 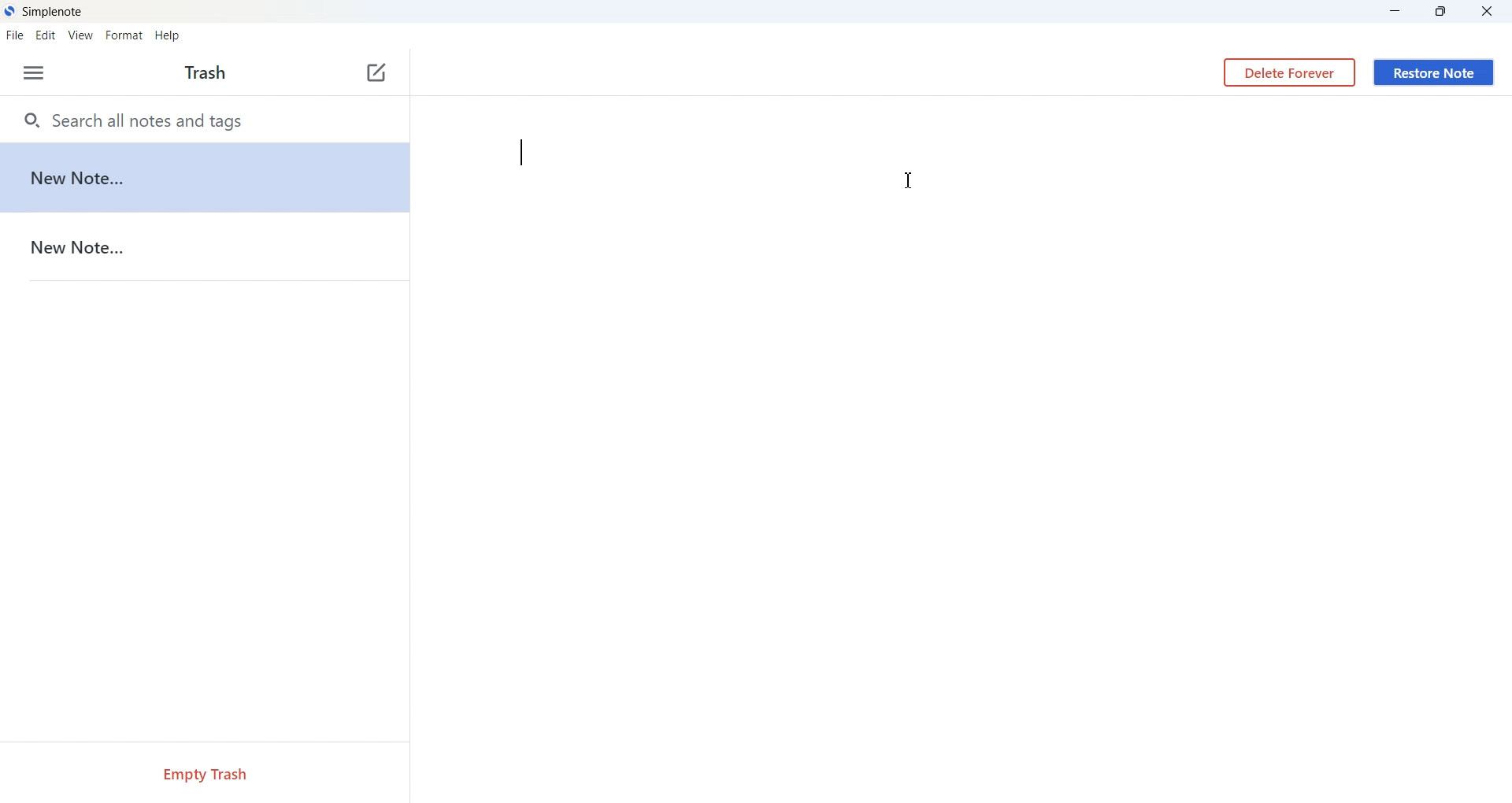 I want to click on Search all notes and tags, so click(x=204, y=119).